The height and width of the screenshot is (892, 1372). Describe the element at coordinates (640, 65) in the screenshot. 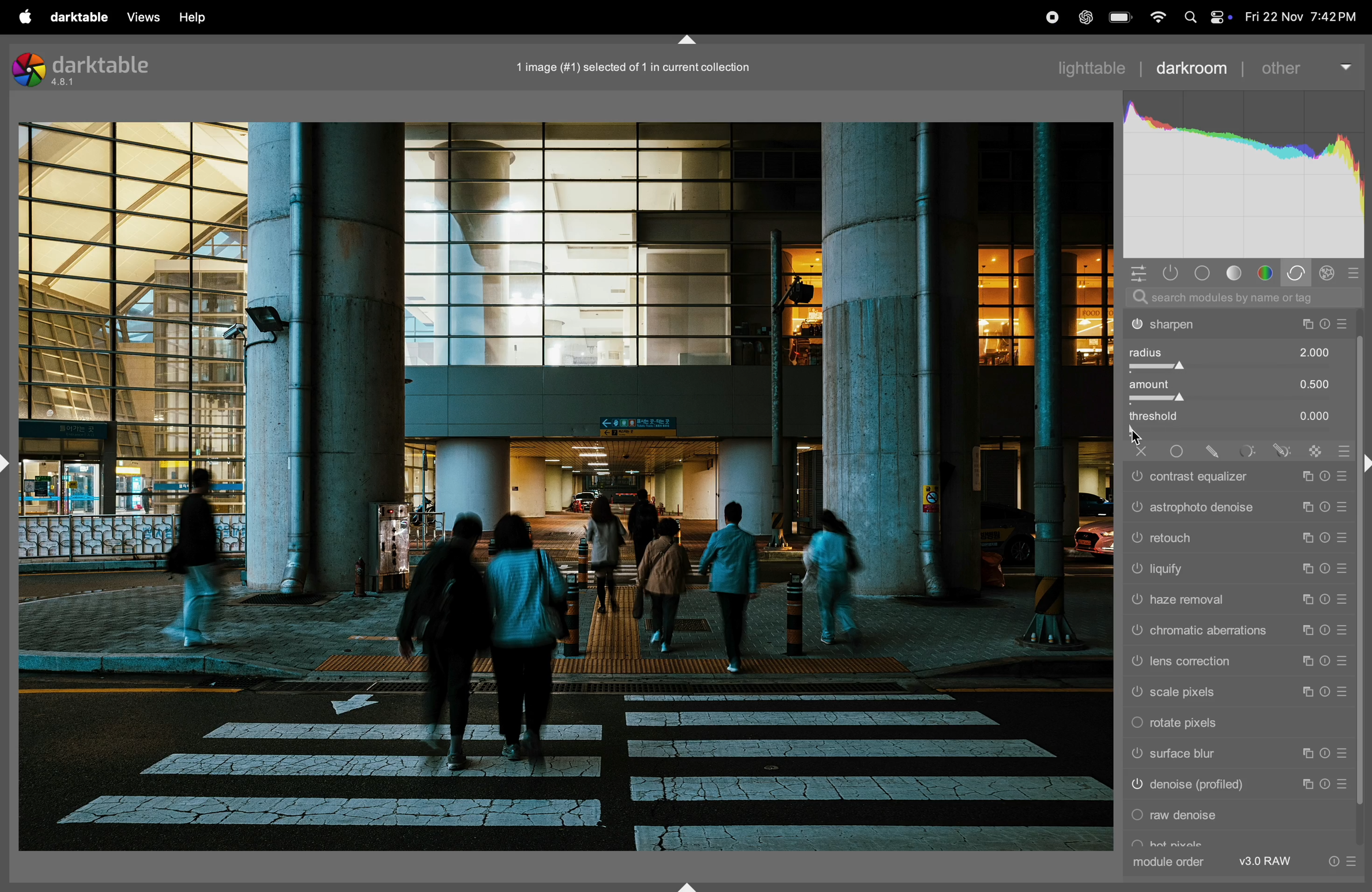

I see `1 image` at that location.